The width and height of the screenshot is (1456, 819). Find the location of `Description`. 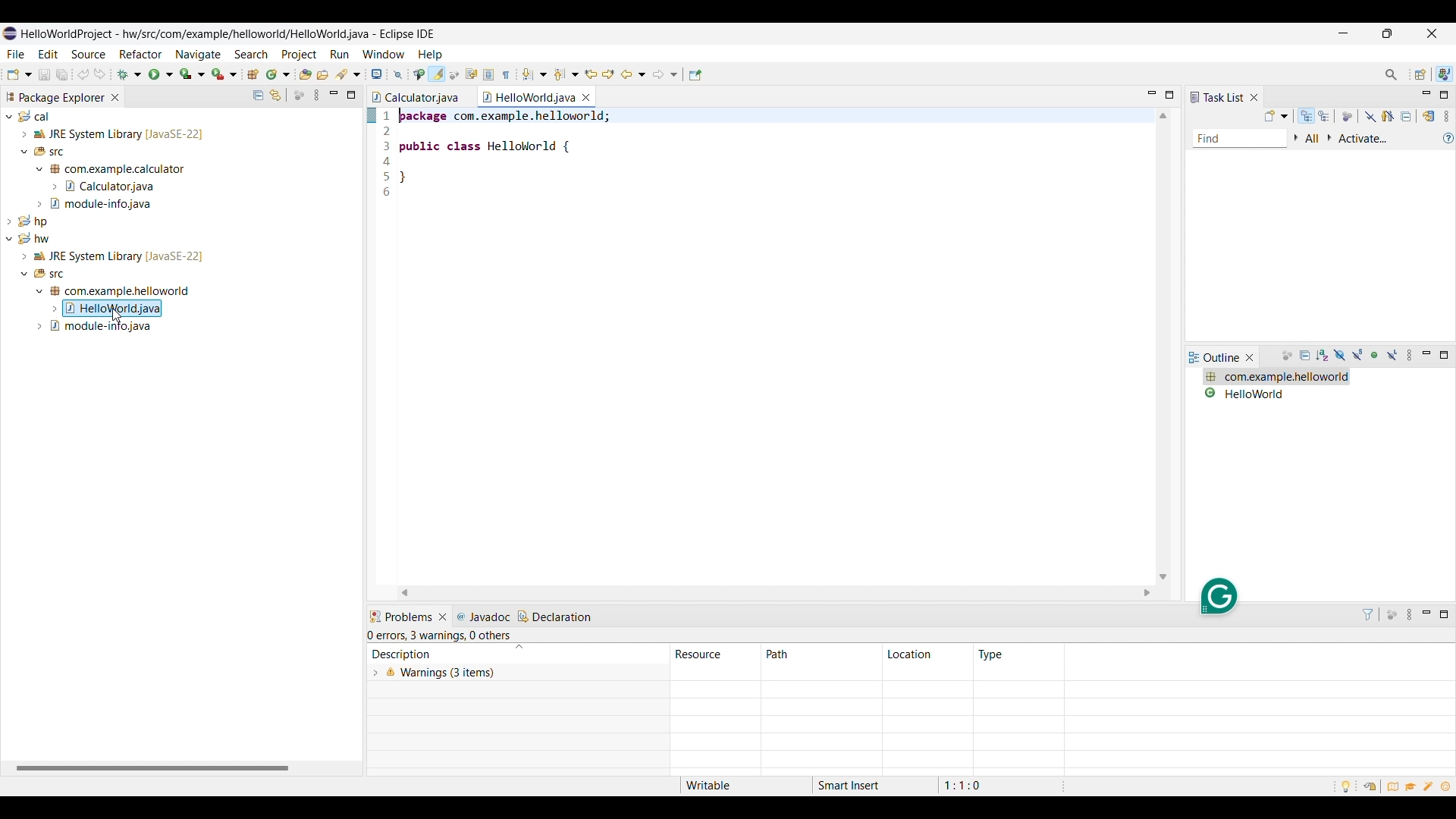

Description is located at coordinates (439, 654).